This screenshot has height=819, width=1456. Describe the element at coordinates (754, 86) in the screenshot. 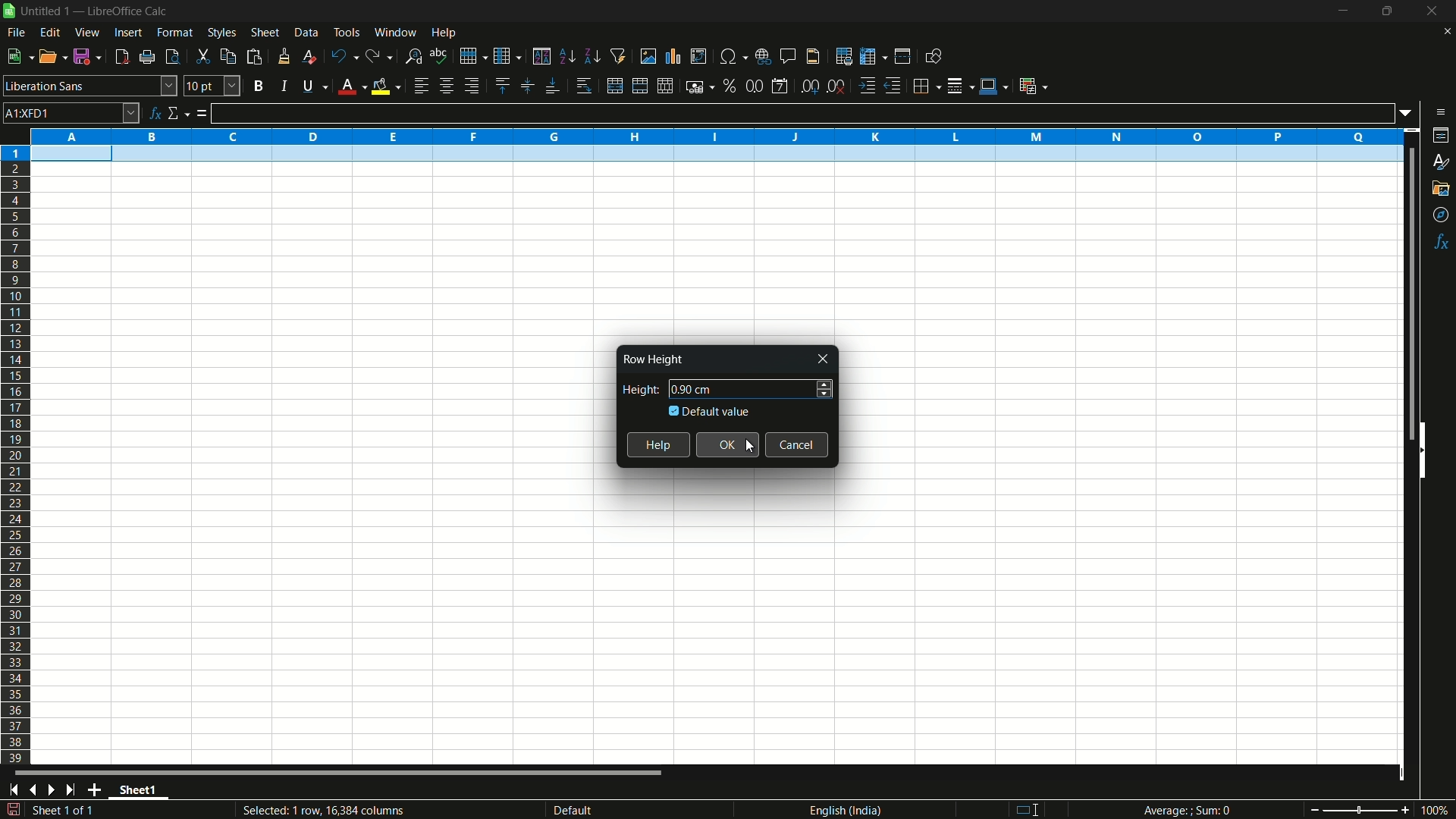

I see `format as number` at that location.